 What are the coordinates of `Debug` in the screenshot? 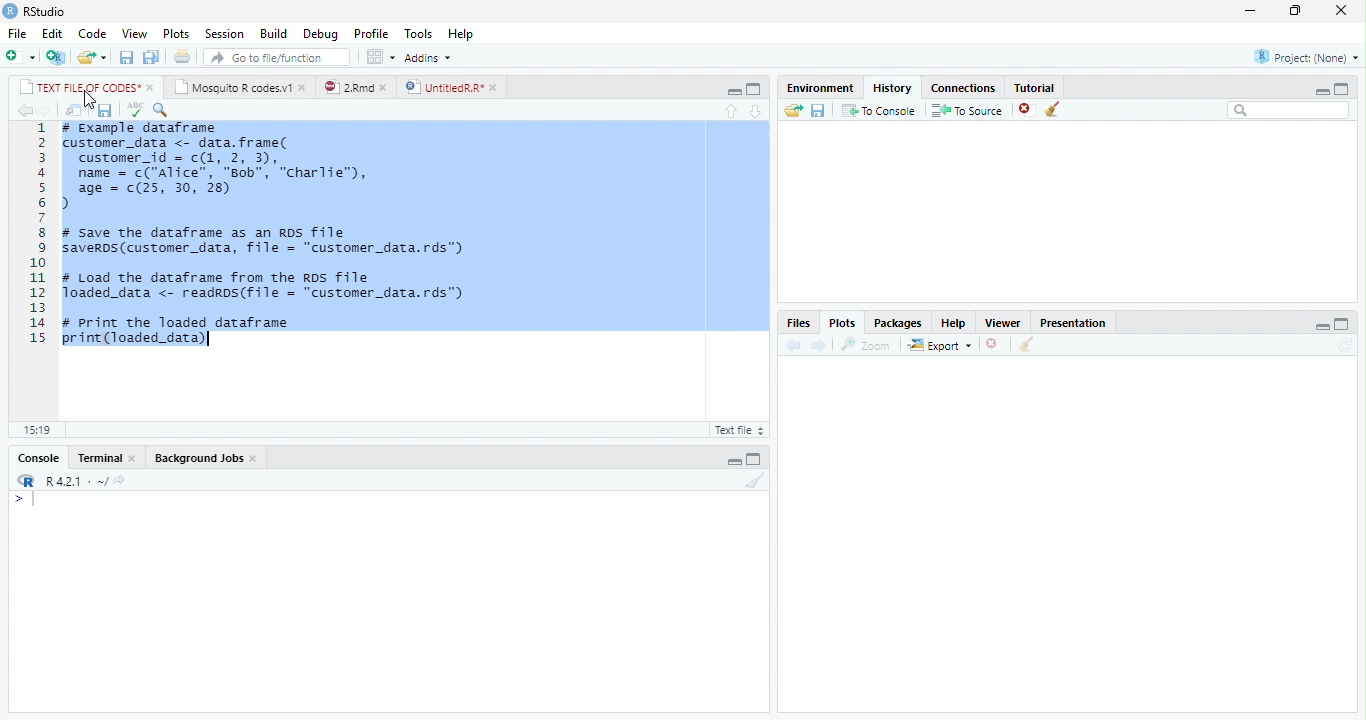 It's located at (321, 34).